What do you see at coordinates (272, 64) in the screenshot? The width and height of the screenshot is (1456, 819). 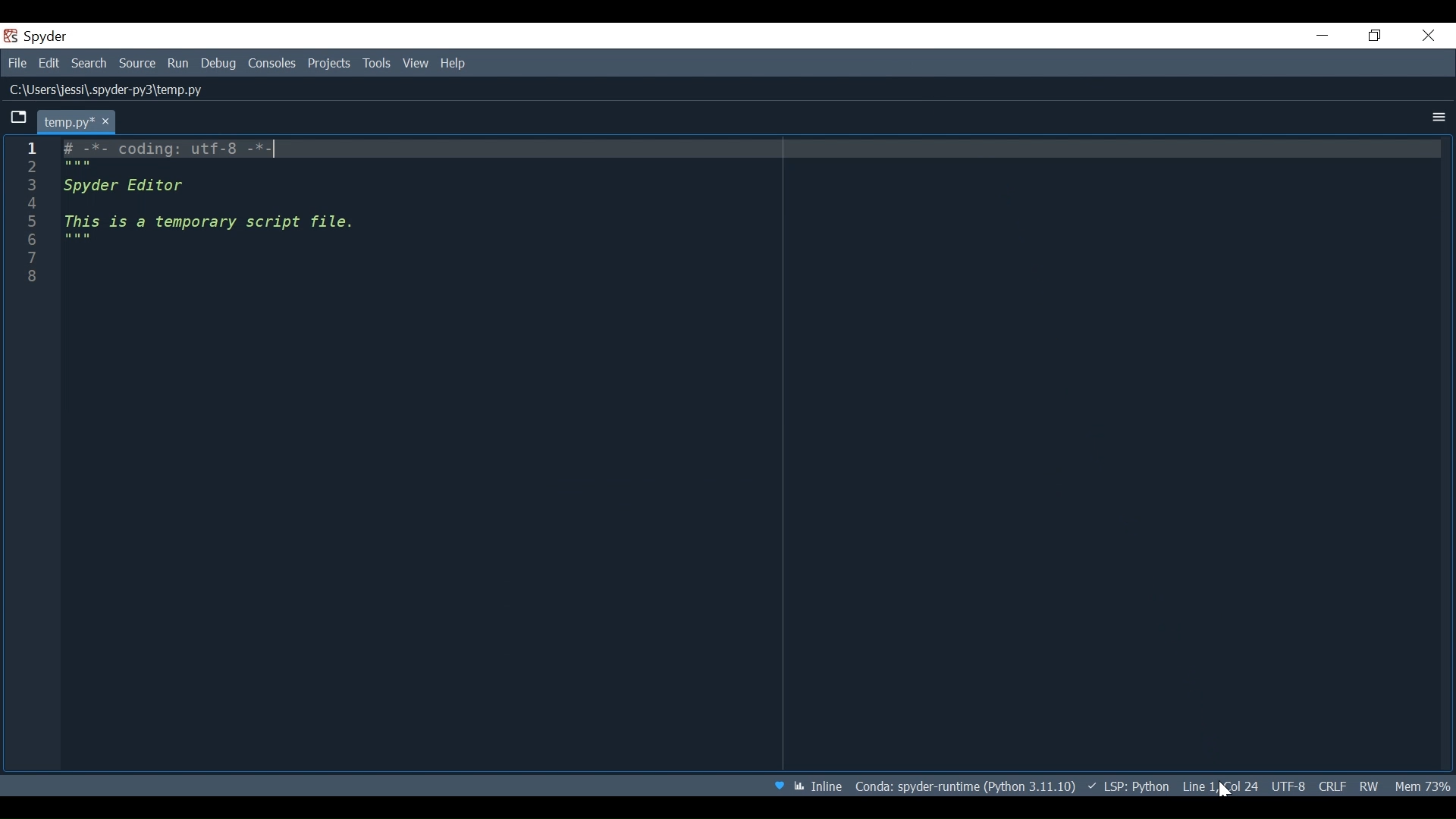 I see `Console` at bounding box center [272, 64].